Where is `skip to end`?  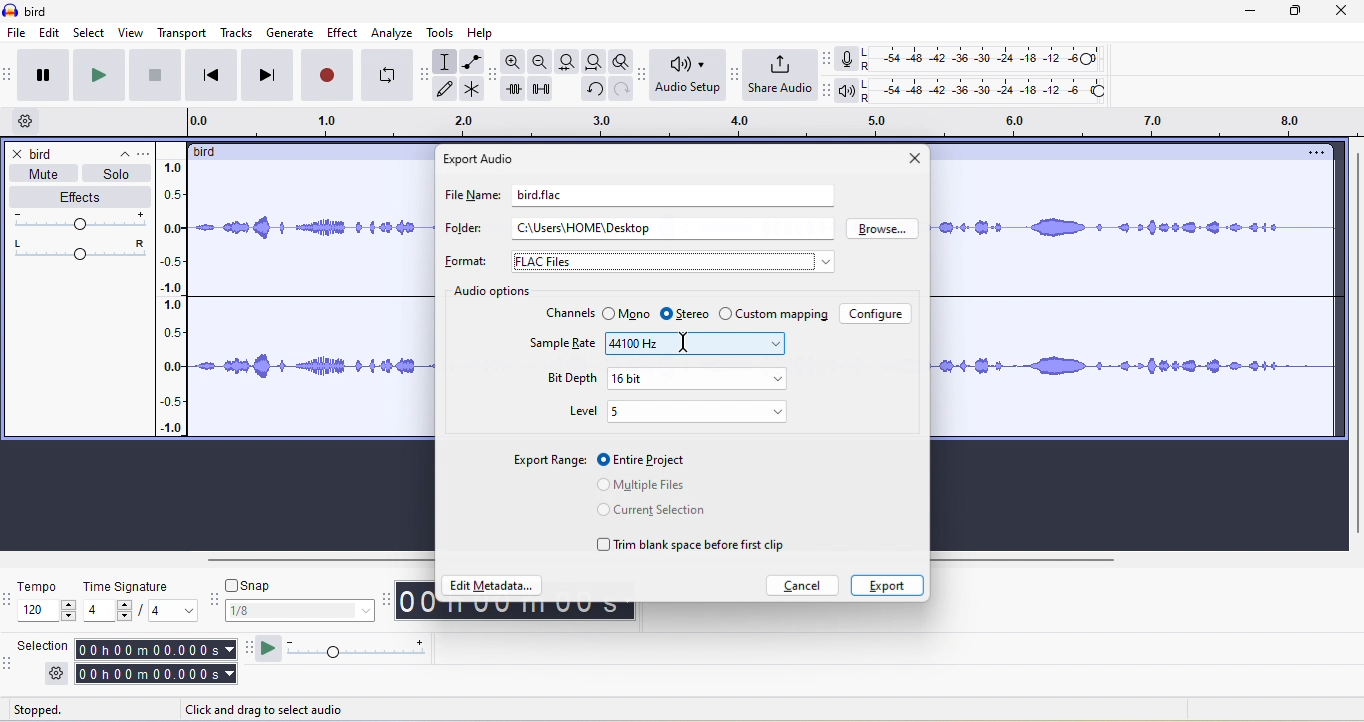 skip to end is located at coordinates (268, 75).